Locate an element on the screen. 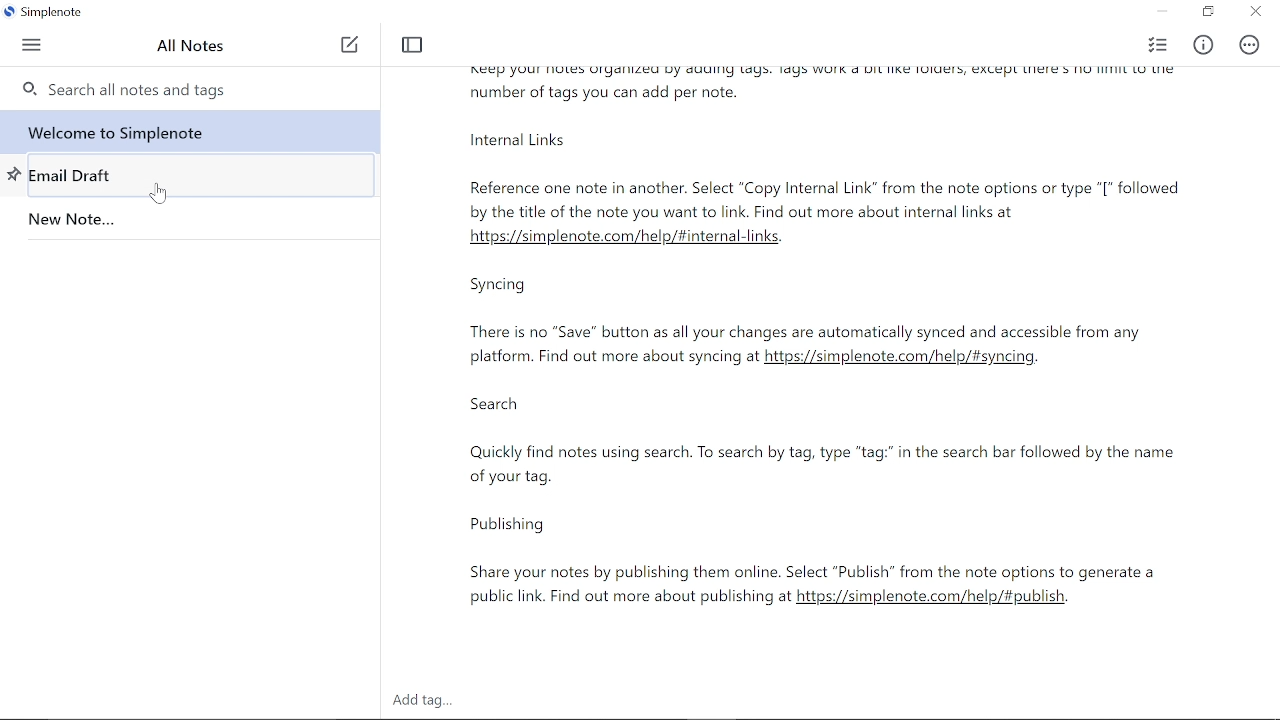  Note titled "Email Draft" is located at coordinates (63, 175).